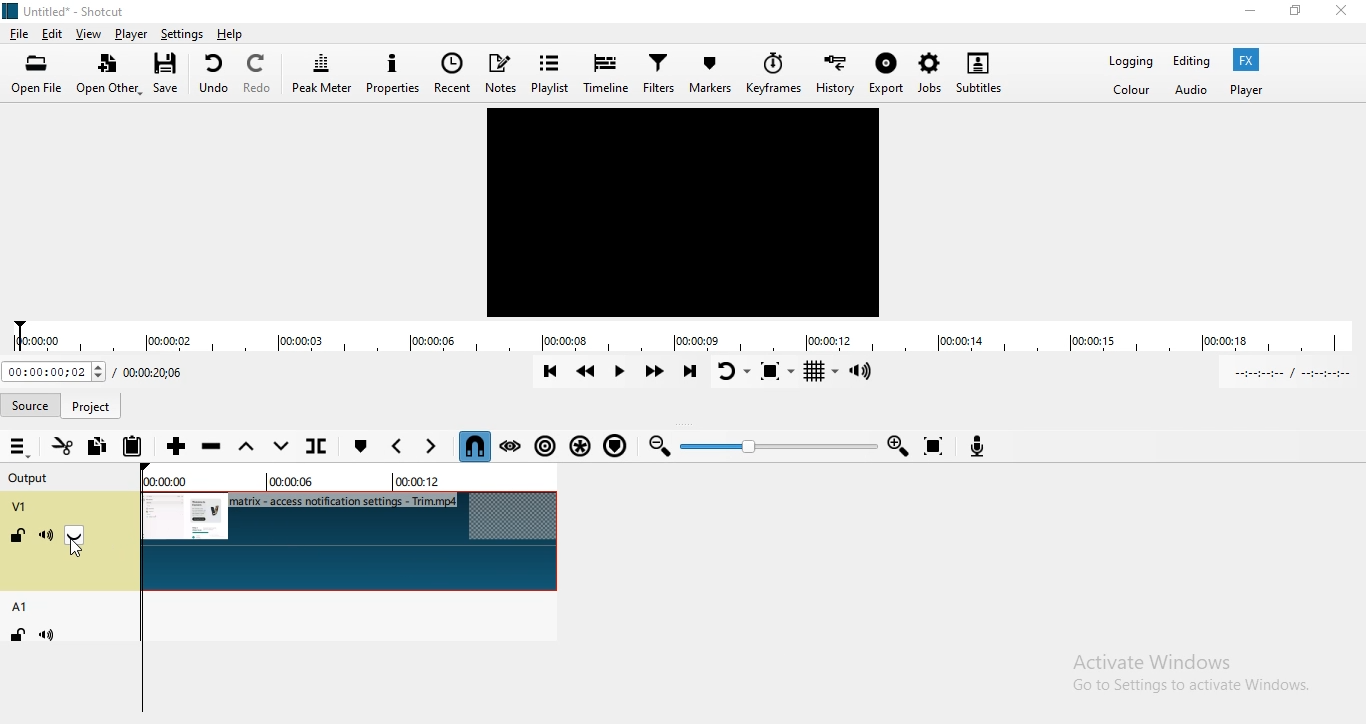  What do you see at coordinates (709, 74) in the screenshot?
I see `Markers` at bounding box center [709, 74].